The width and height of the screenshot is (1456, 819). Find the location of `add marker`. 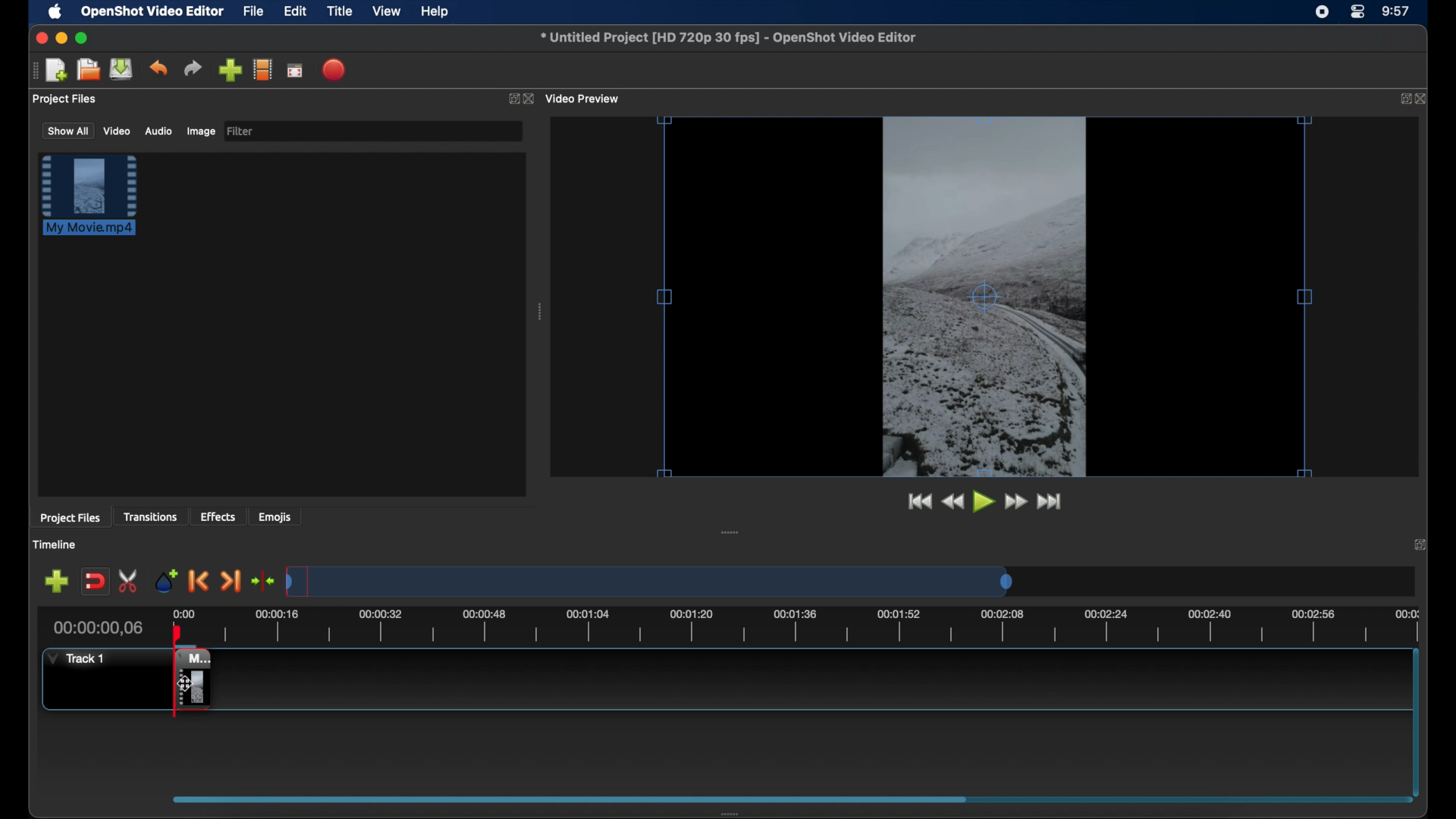

add marker is located at coordinates (166, 579).